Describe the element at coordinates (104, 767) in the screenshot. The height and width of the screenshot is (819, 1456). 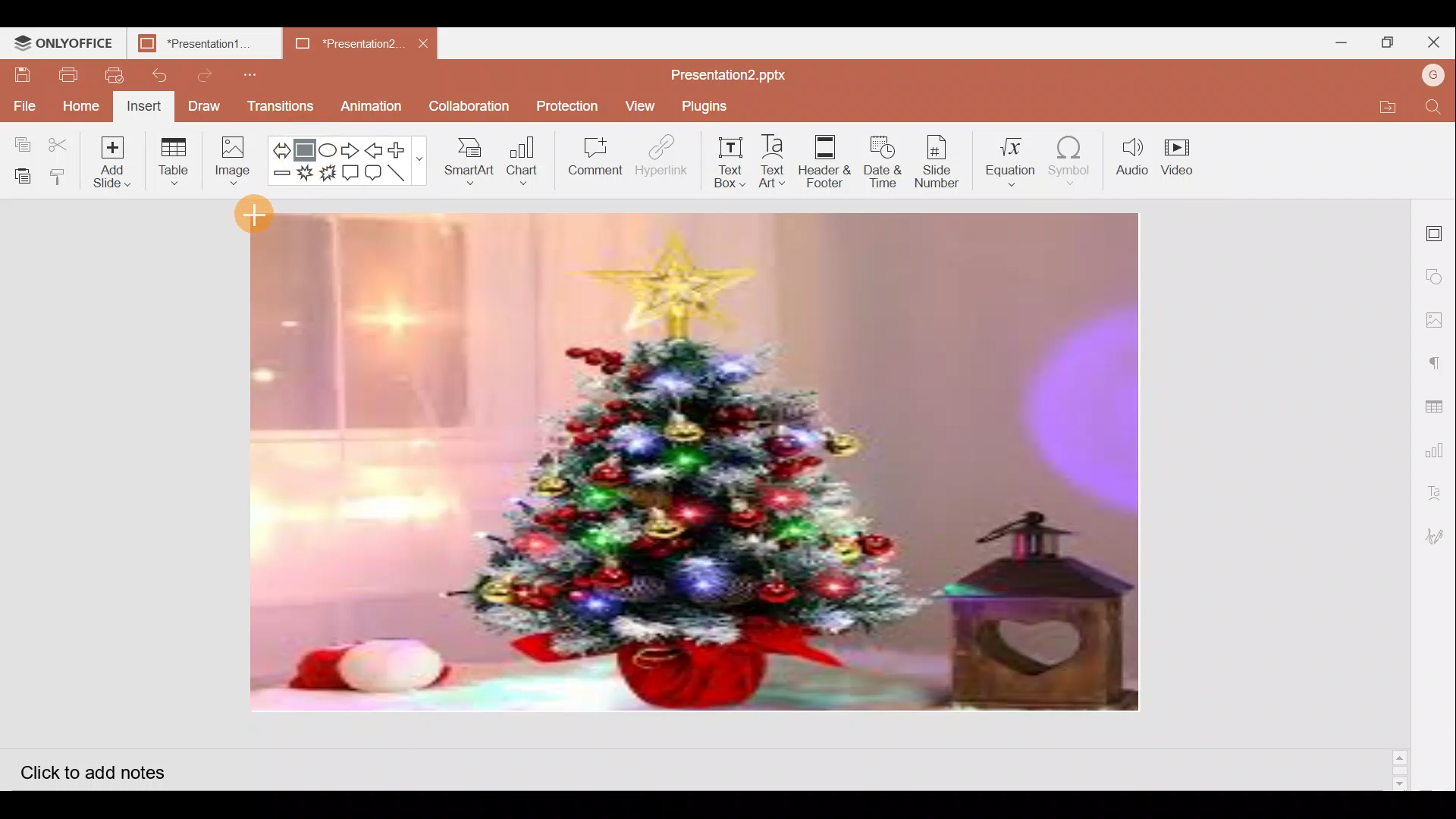
I see `Click to add notes` at that location.